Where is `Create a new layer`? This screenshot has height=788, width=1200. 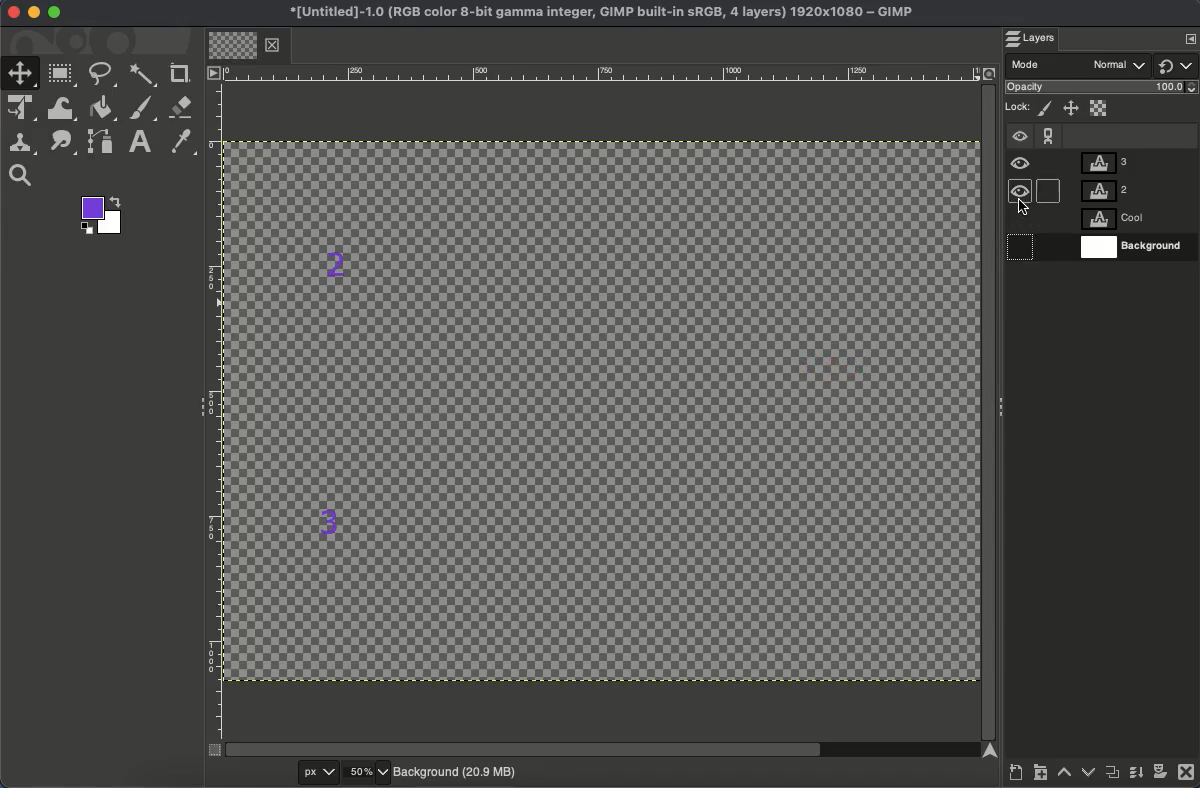
Create a new layer is located at coordinates (1015, 775).